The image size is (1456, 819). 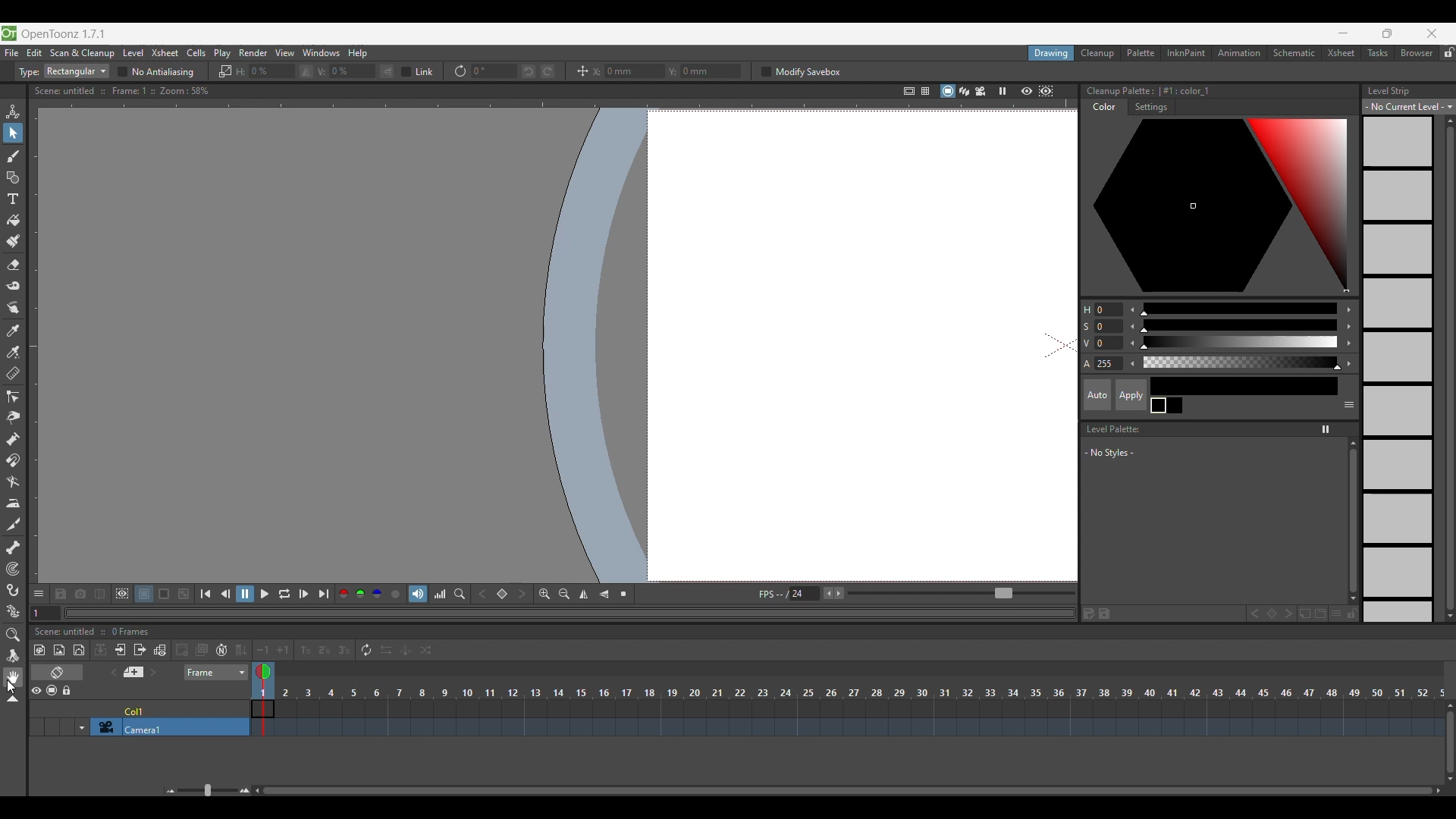 What do you see at coordinates (377, 591) in the screenshot?
I see `Blue channel` at bounding box center [377, 591].